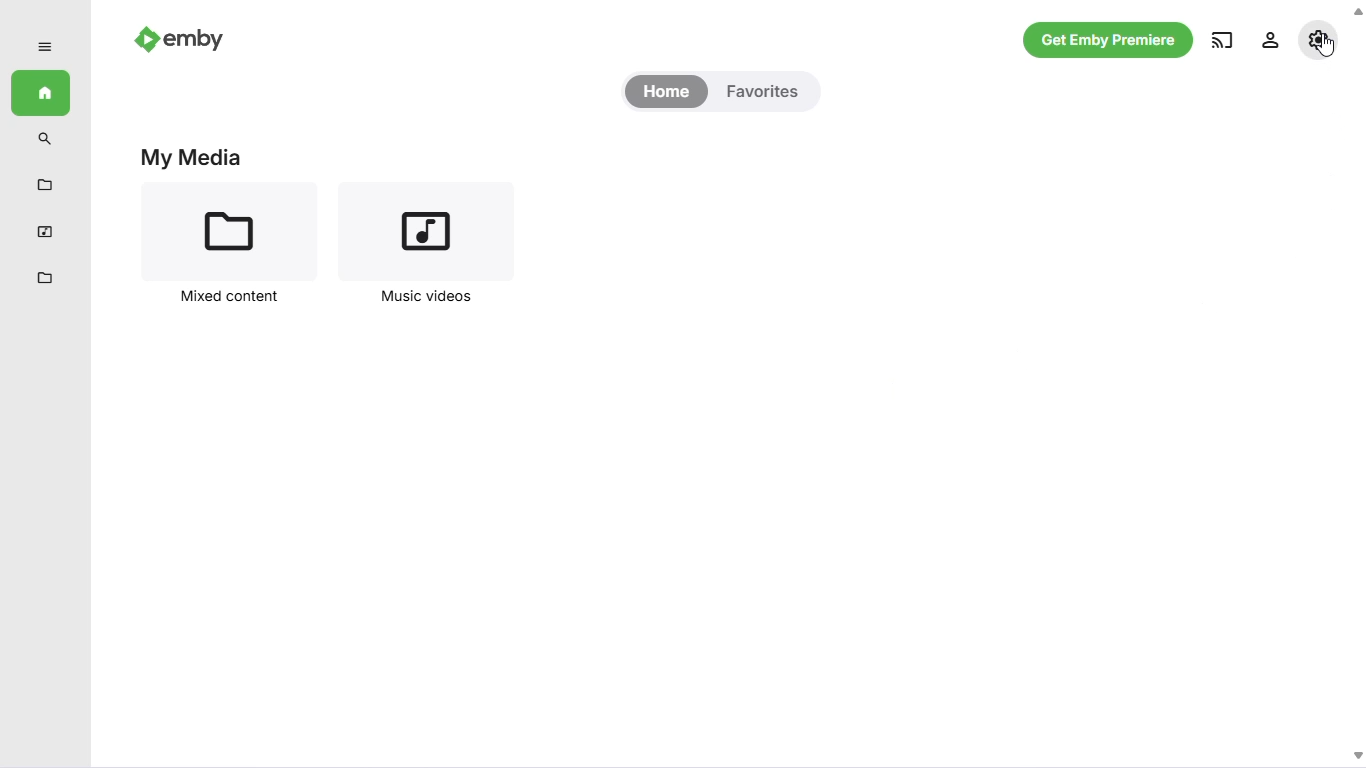 The width and height of the screenshot is (1366, 768). Describe the element at coordinates (44, 280) in the screenshot. I see `mixed content` at that location.